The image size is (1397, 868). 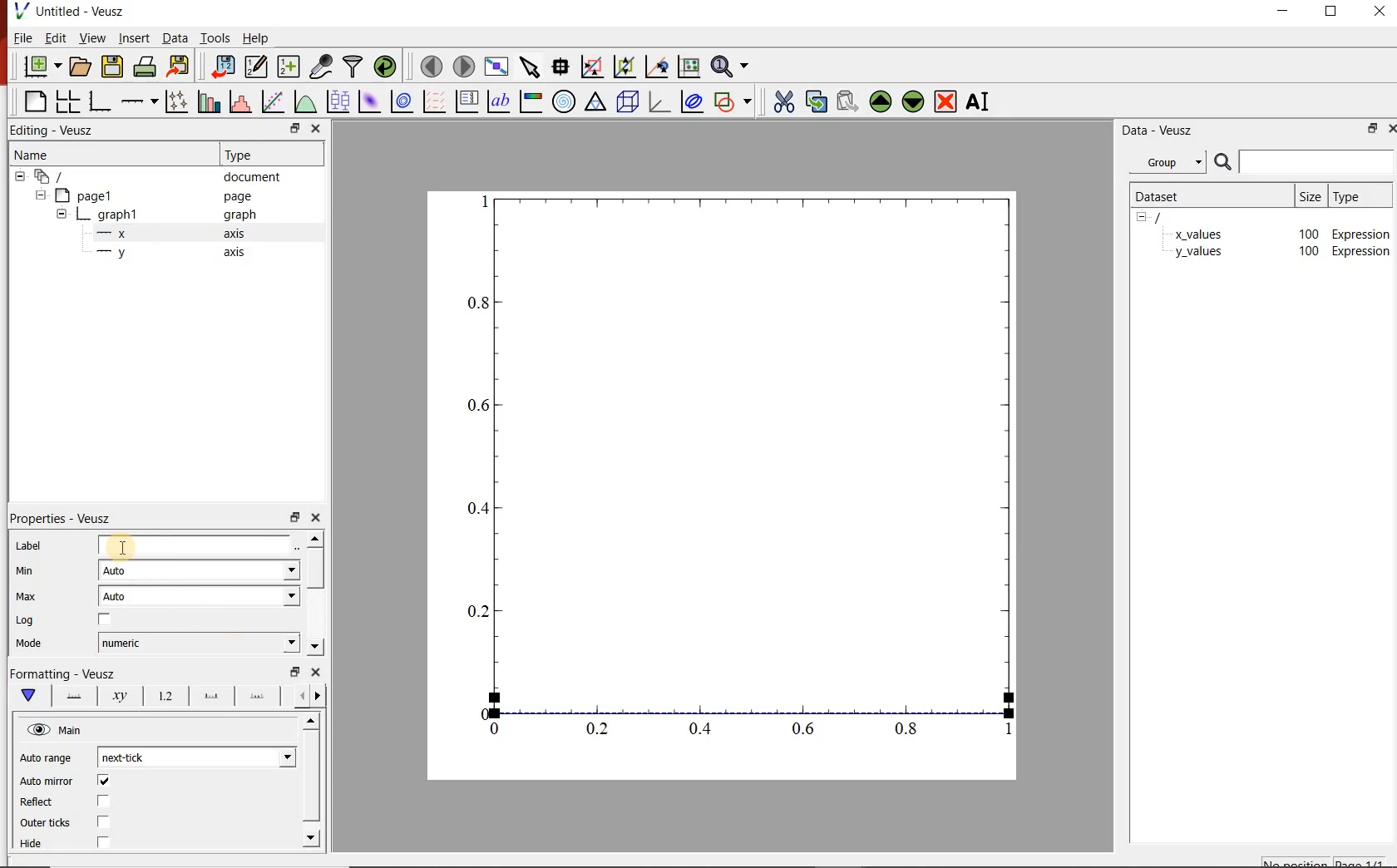 What do you see at coordinates (81, 66) in the screenshot?
I see `open document` at bounding box center [81, 66].